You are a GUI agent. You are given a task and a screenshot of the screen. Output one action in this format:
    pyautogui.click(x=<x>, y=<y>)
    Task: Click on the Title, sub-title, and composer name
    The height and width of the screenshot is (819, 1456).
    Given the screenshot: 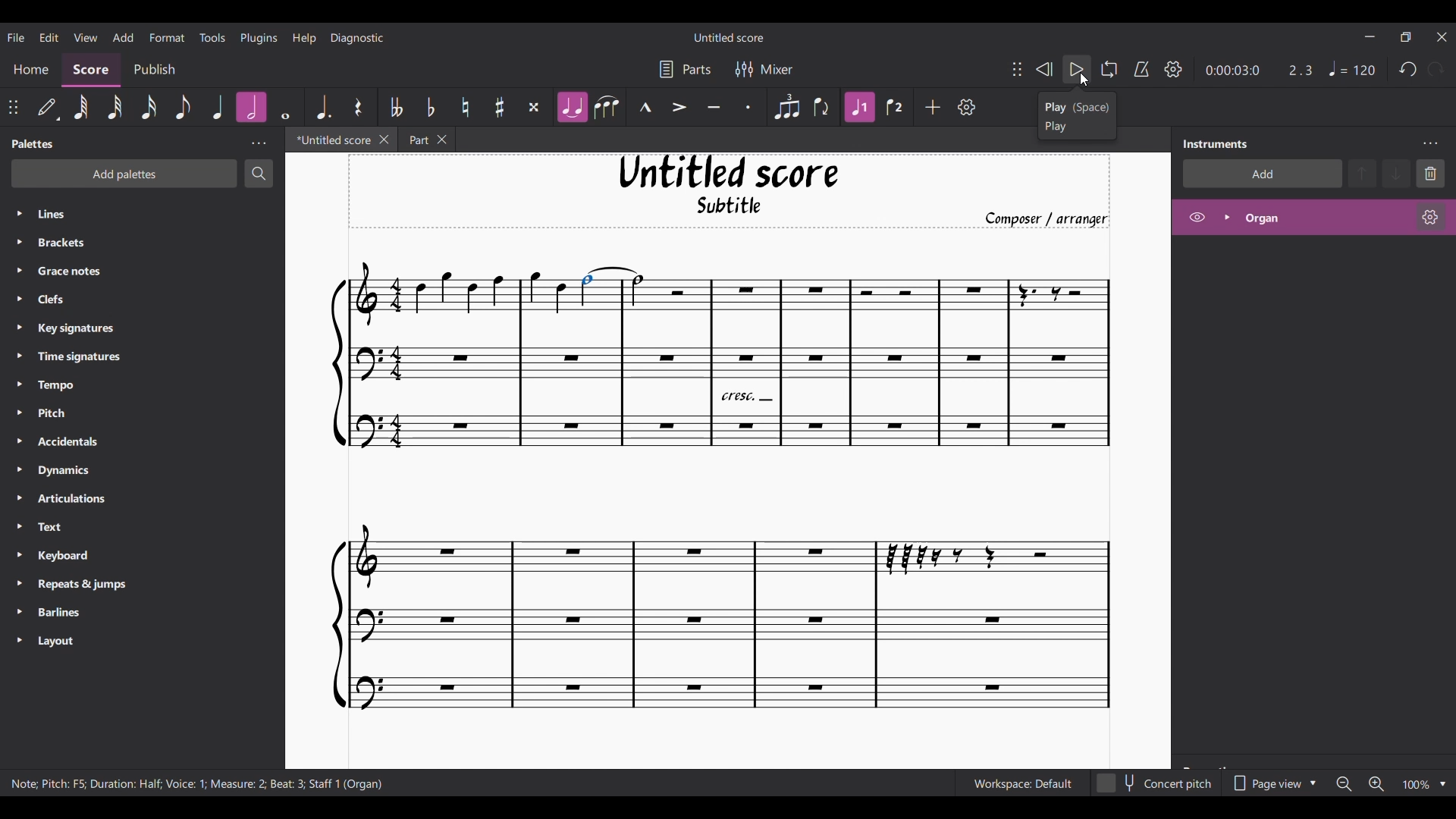 What is the action you would take?
    pyautogui.click(x=738, y=192)
    